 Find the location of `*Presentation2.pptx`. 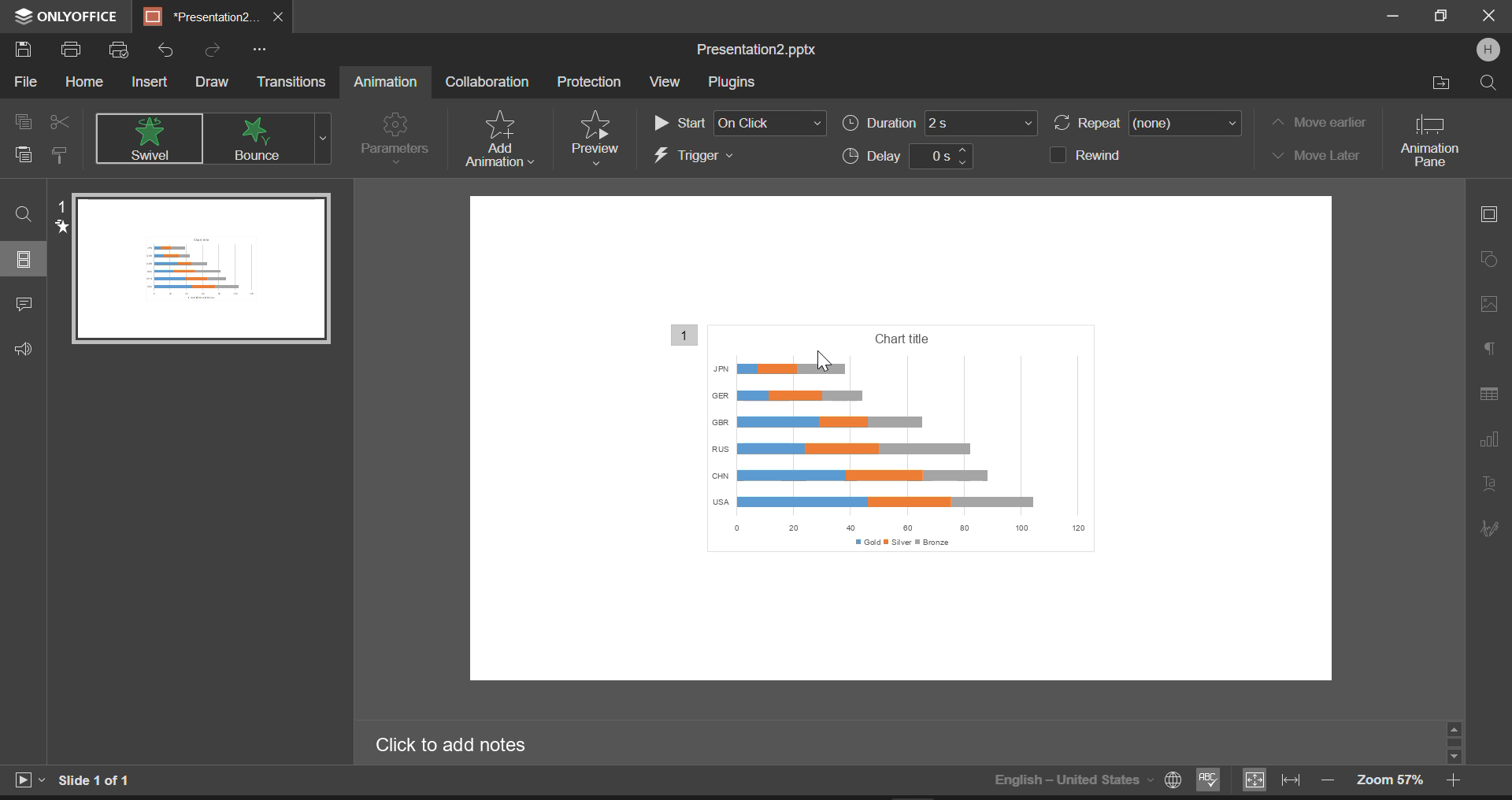

*Presentation2.pptx is located at coordinates (201, 17).